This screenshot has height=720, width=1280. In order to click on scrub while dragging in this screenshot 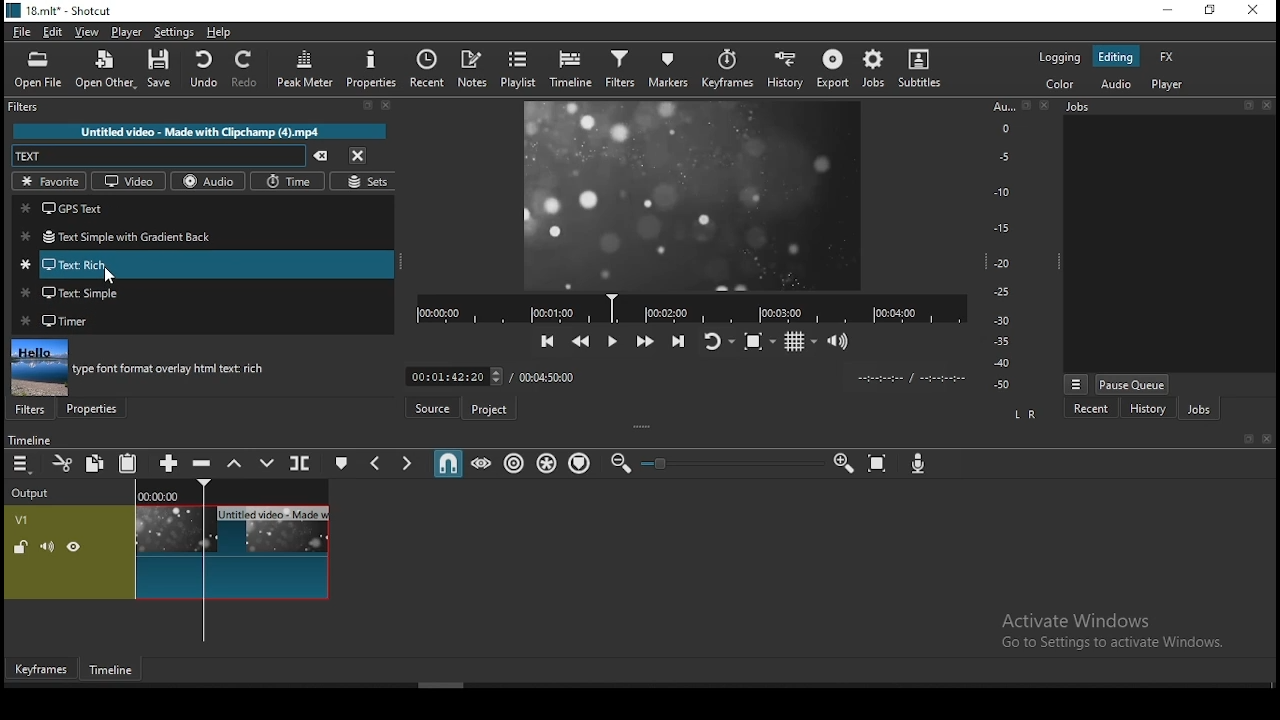, I will do `click(482, 462)`.